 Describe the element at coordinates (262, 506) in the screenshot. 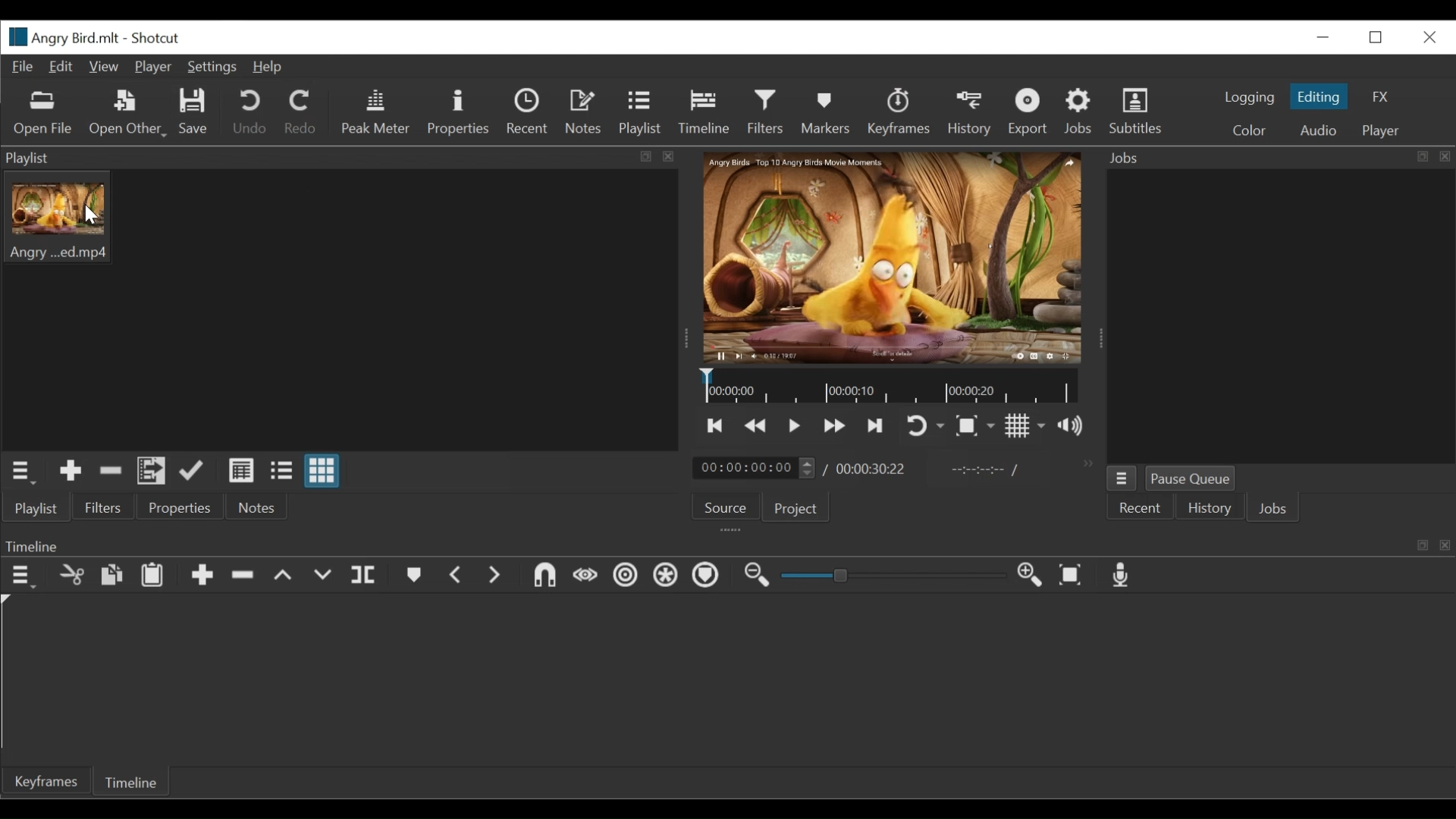

I see `Notes` at that location.